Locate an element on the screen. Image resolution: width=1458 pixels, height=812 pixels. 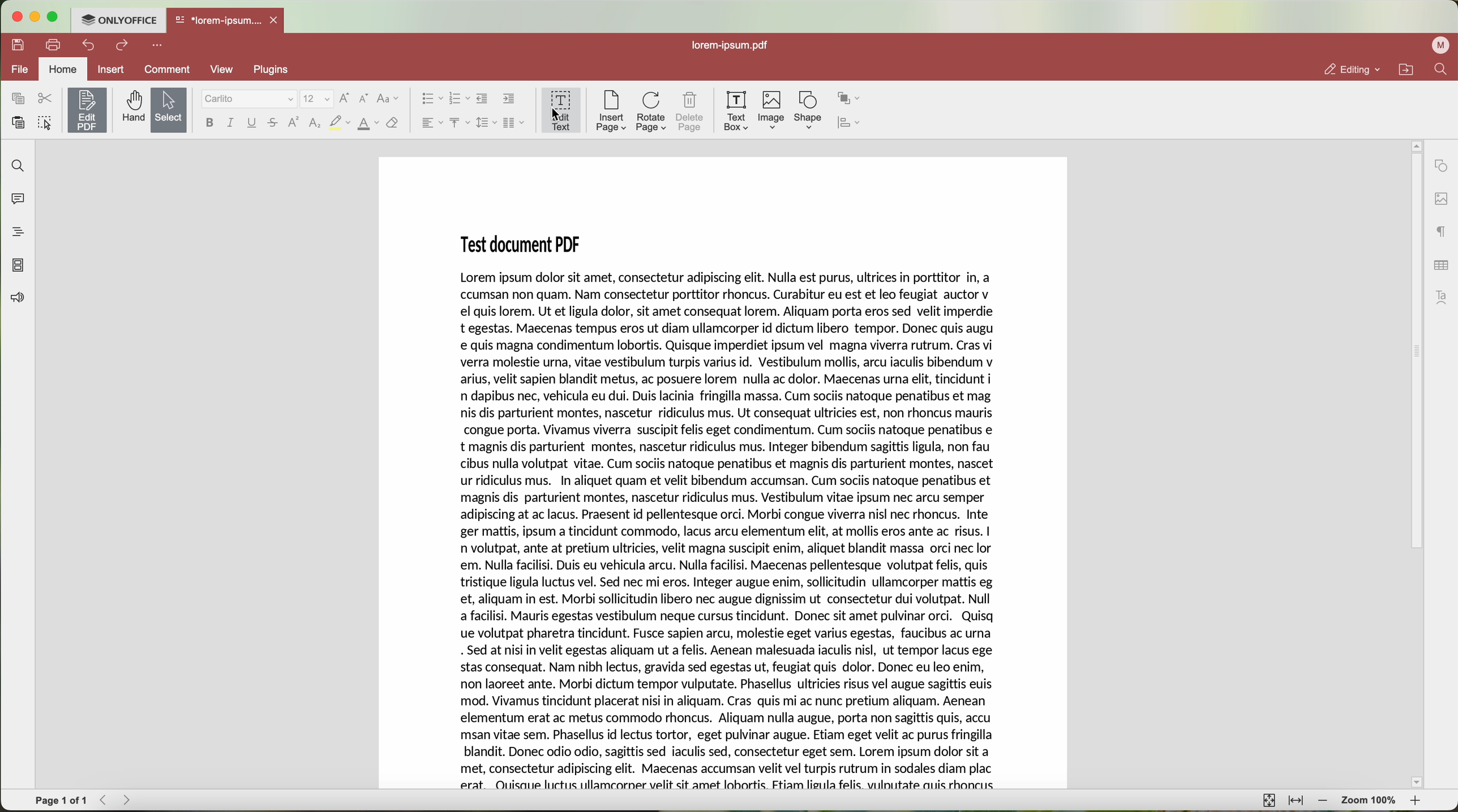
change case is located at coordinates (389, 98).